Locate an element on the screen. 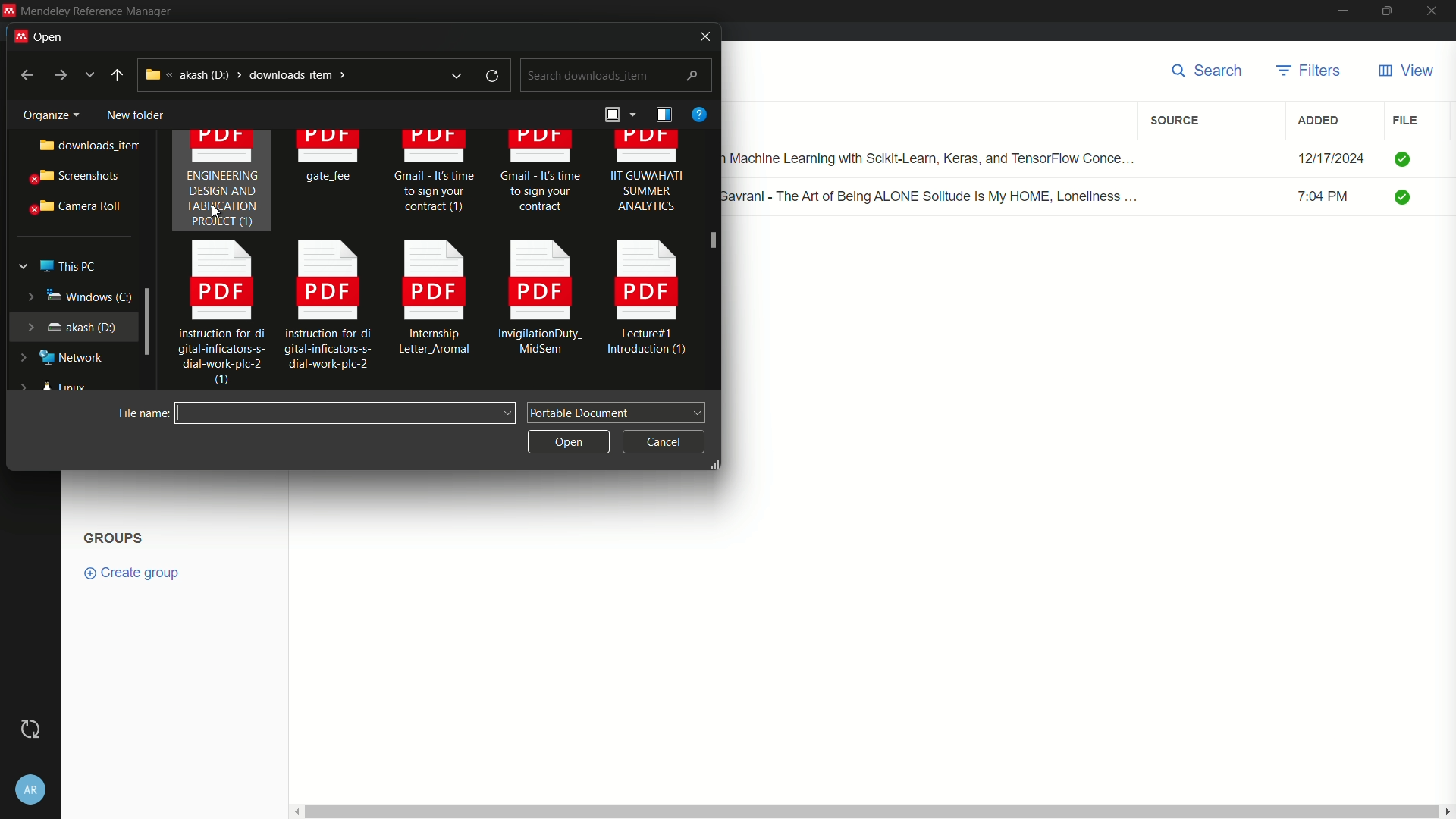 Image resolution: width=1456 pixels, height=819 pixels. view is located at coordinates (1405, 71).